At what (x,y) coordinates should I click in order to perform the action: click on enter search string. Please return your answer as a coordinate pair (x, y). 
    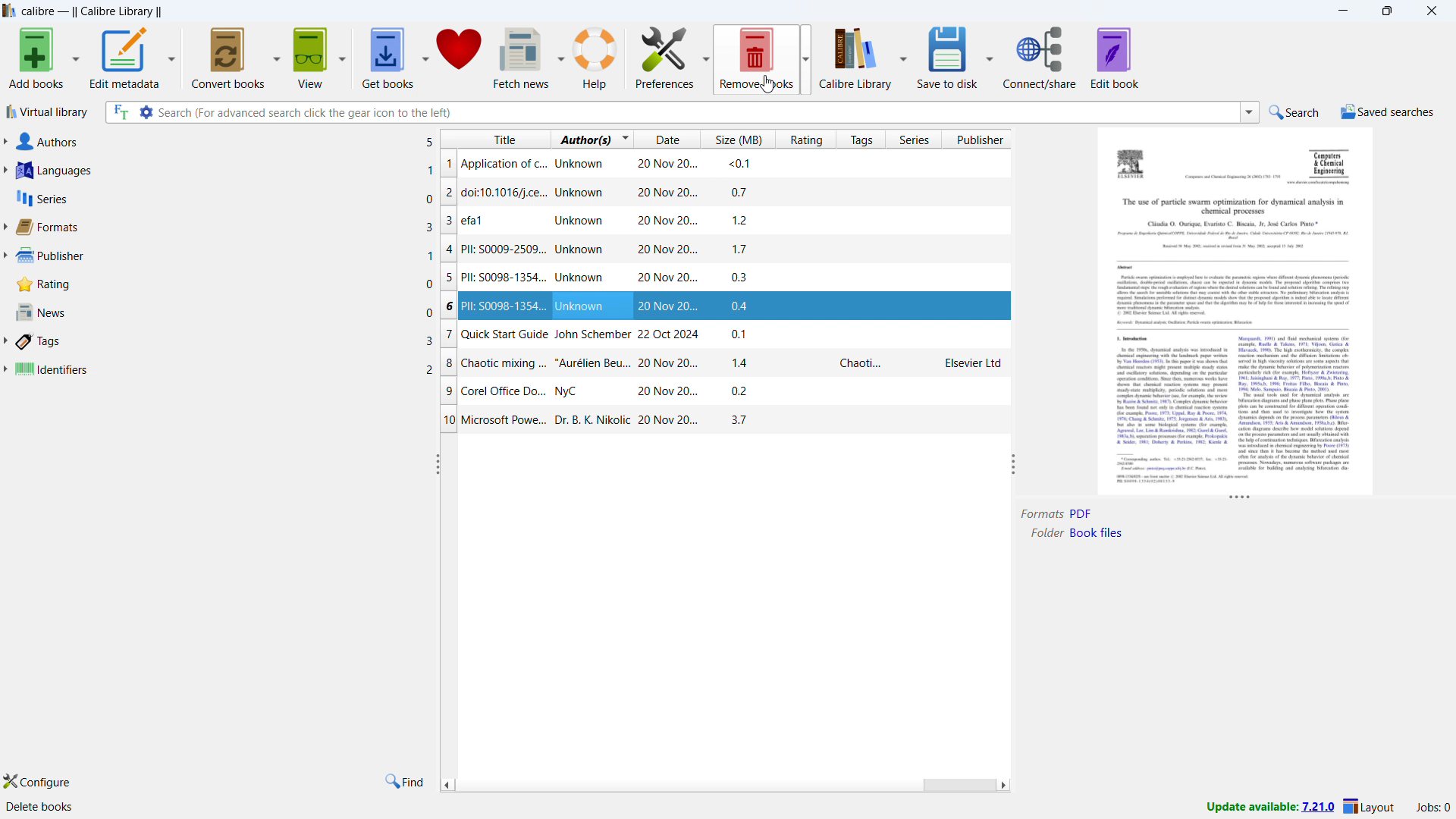
    Looking at the image, I should click on (696, 112).